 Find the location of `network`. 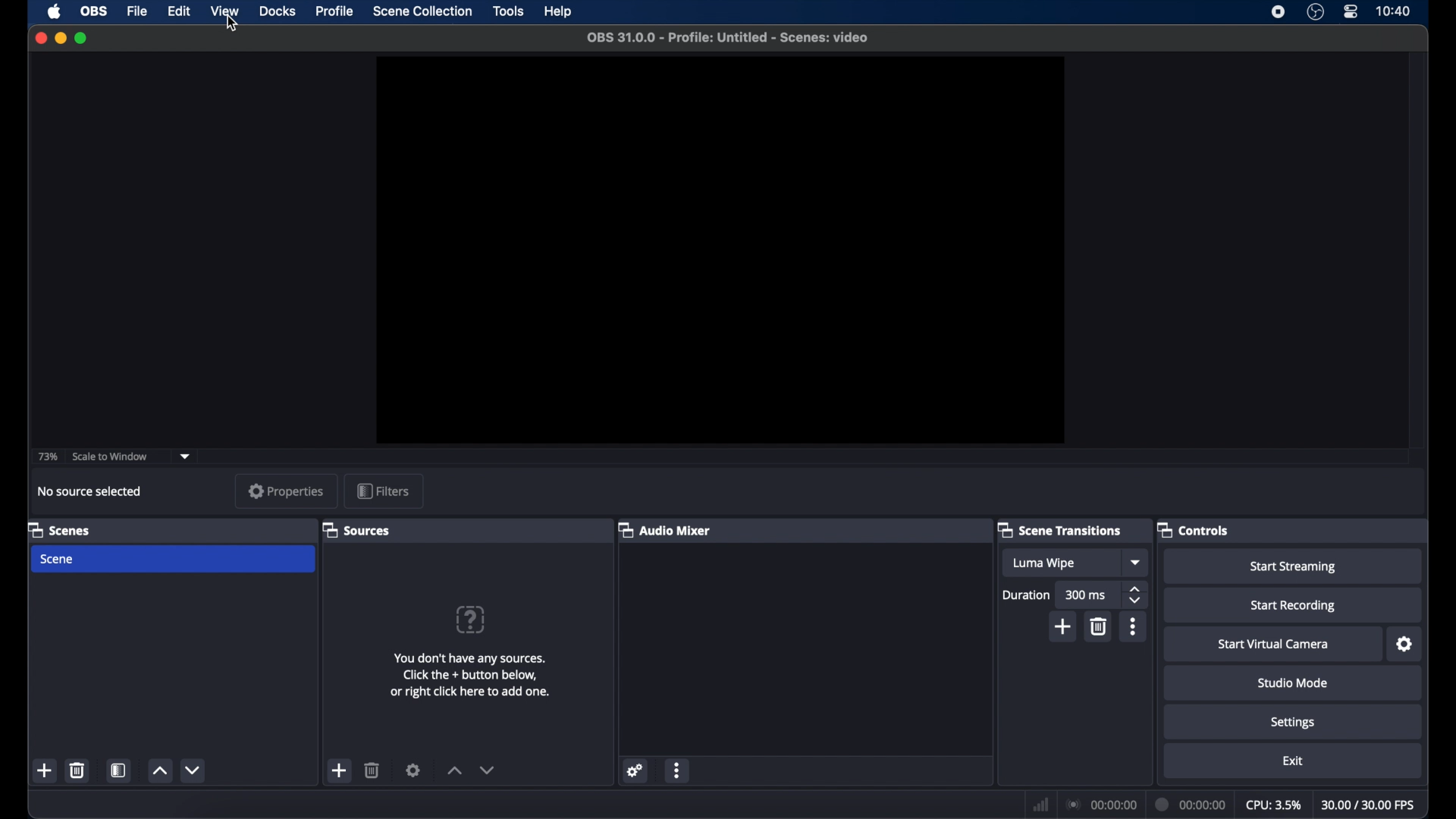

network is located at coordinates (1040, 804).